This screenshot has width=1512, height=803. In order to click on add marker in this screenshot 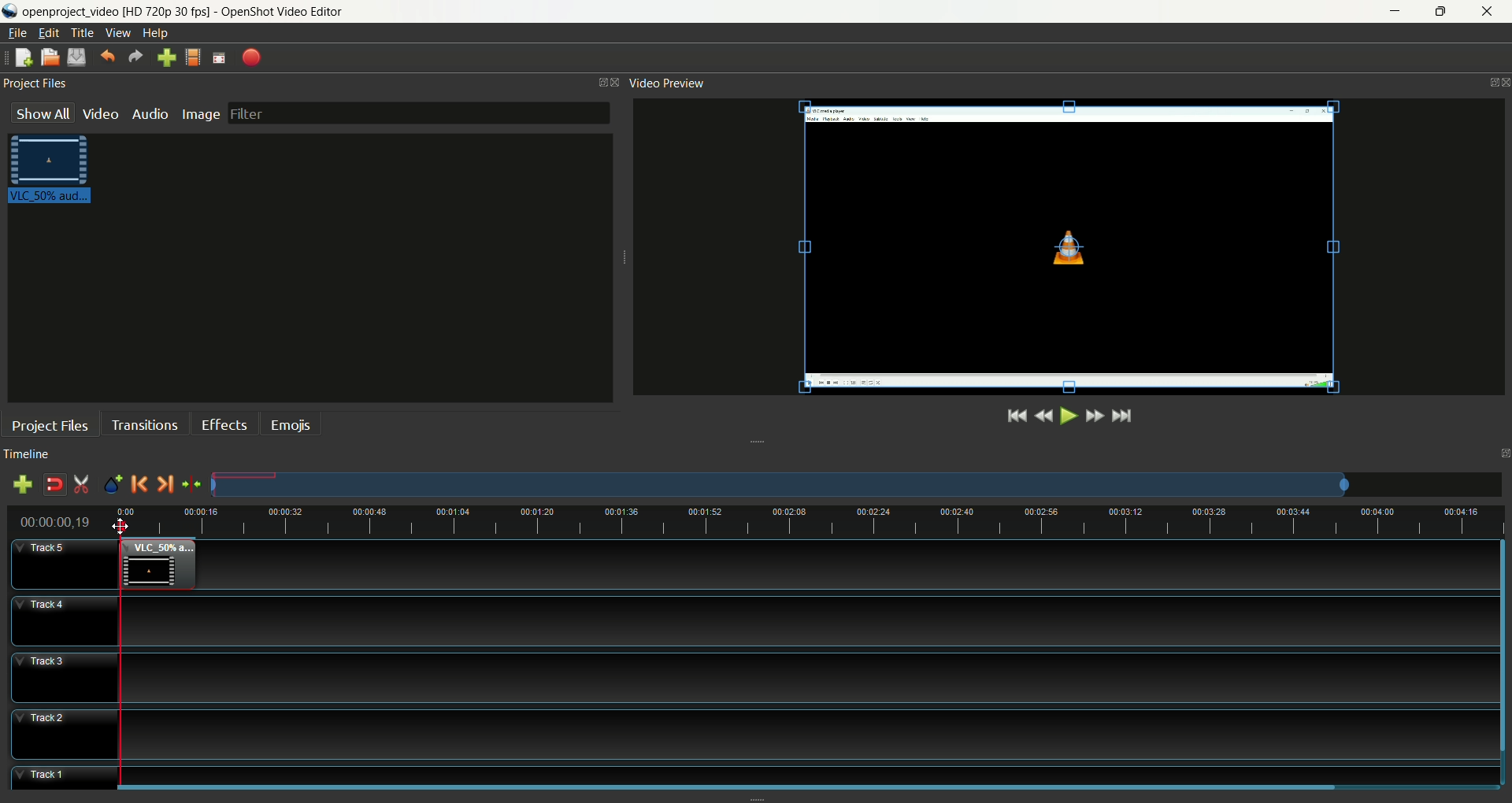, I will do `click(114, 485)`.